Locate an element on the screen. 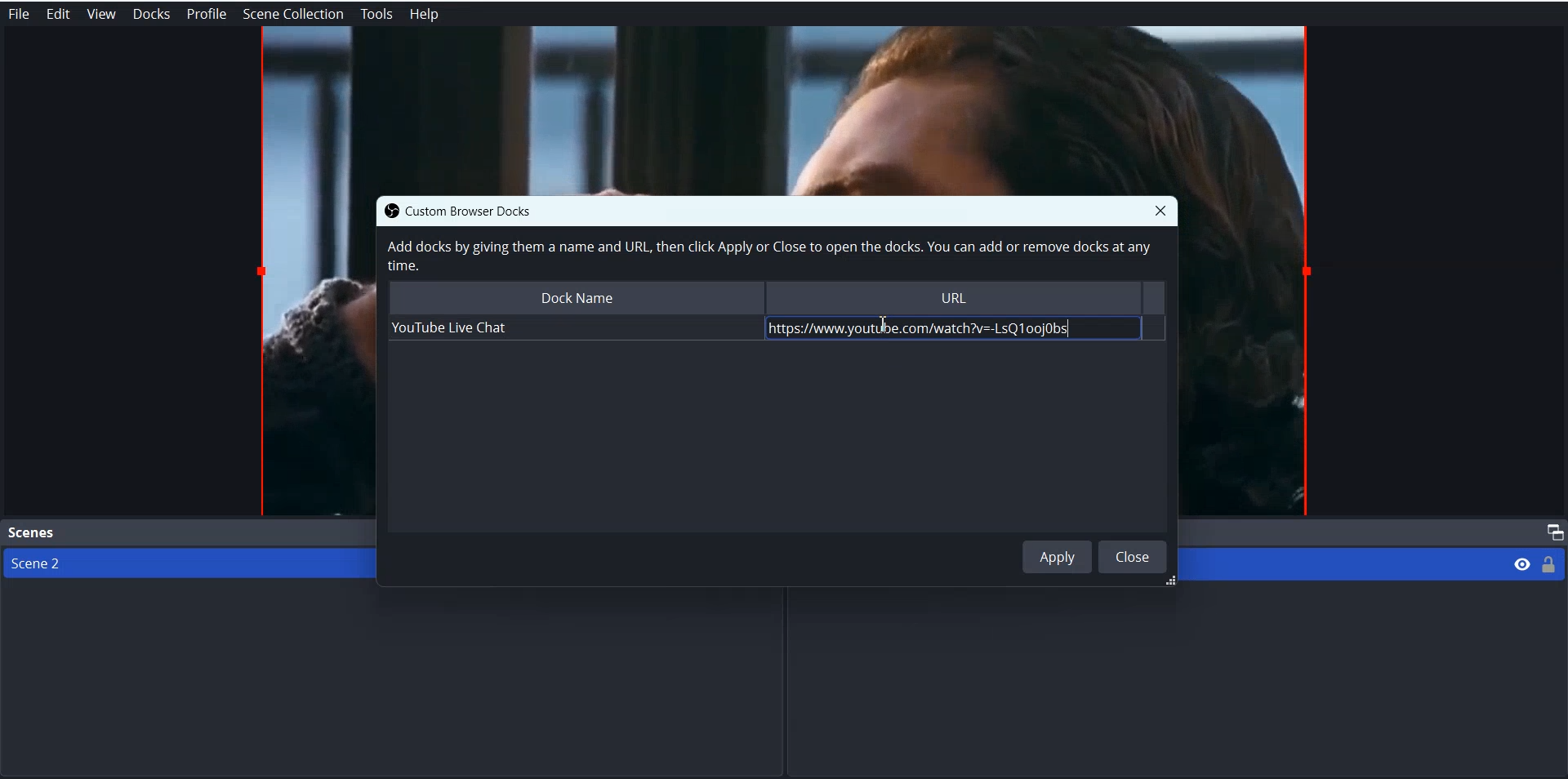 This screenshot has height=779, width=1568. View is located at coordinates (100, 14).